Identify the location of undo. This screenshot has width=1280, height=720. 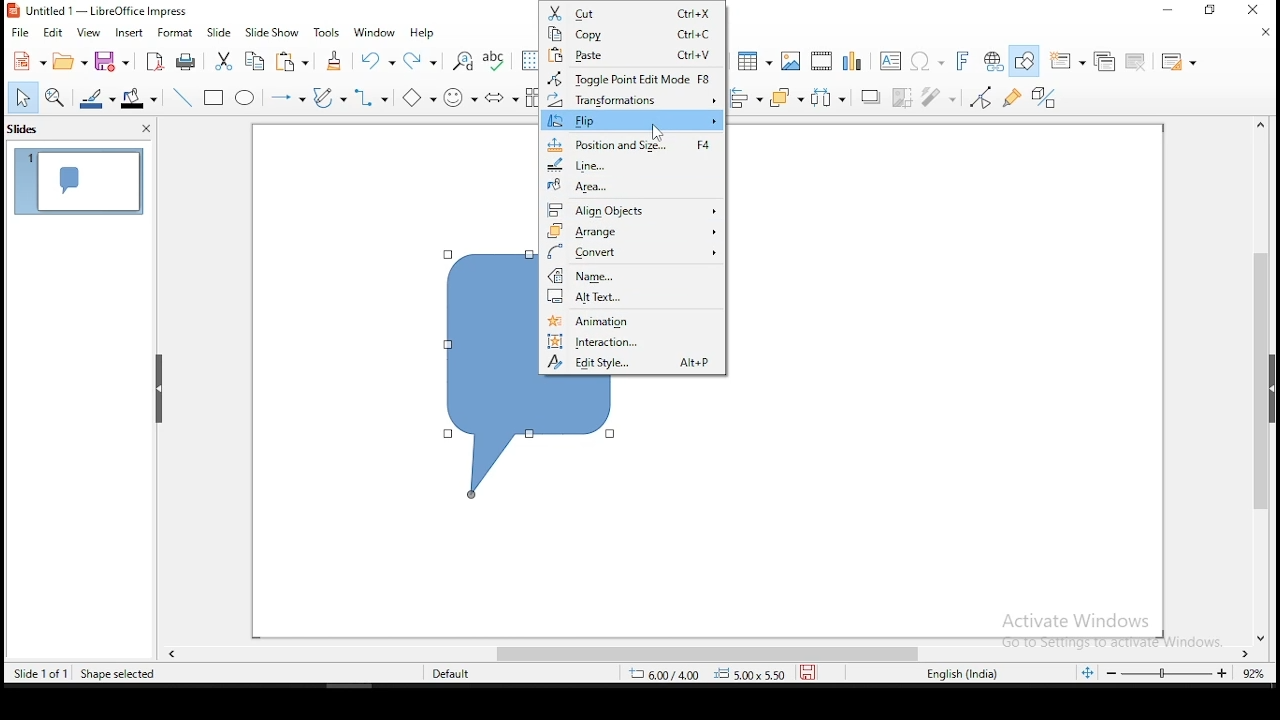
(377, 61).